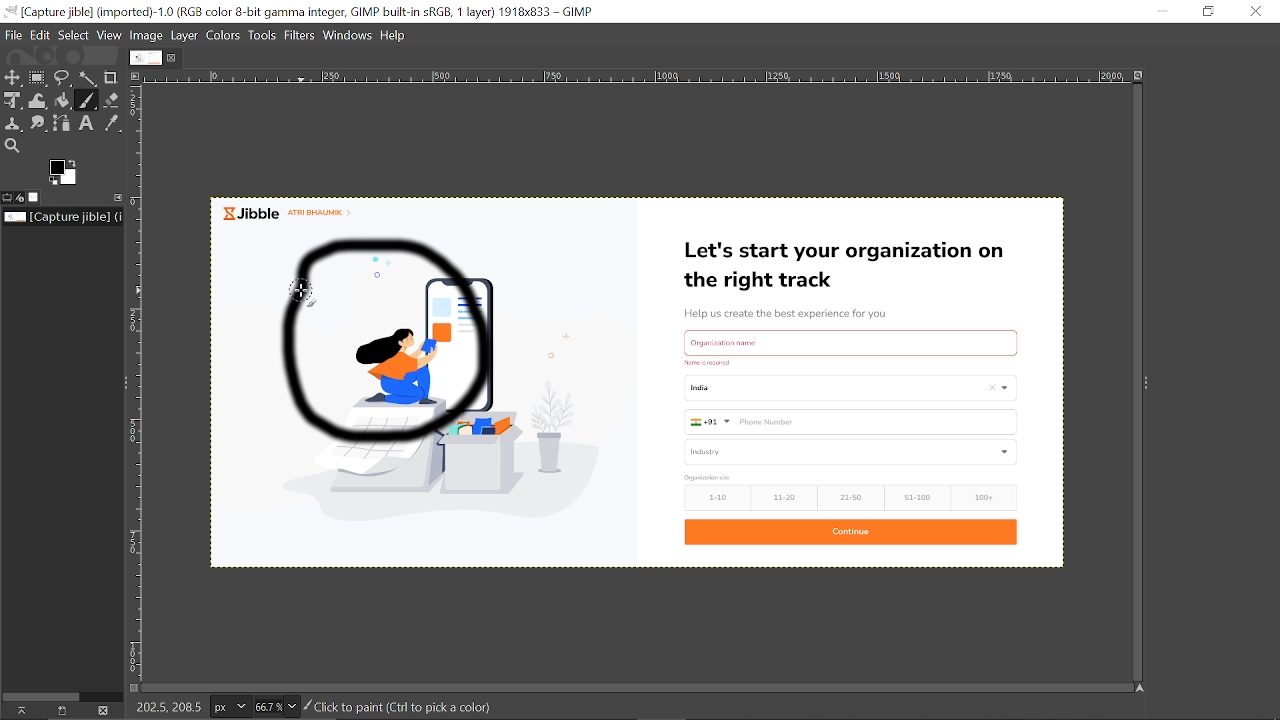 This screenshot has height=720, width=1280. What do you see at coordinates (103, 711) in the screenshot?
I see `This this image` at bounding box center [103, 711].